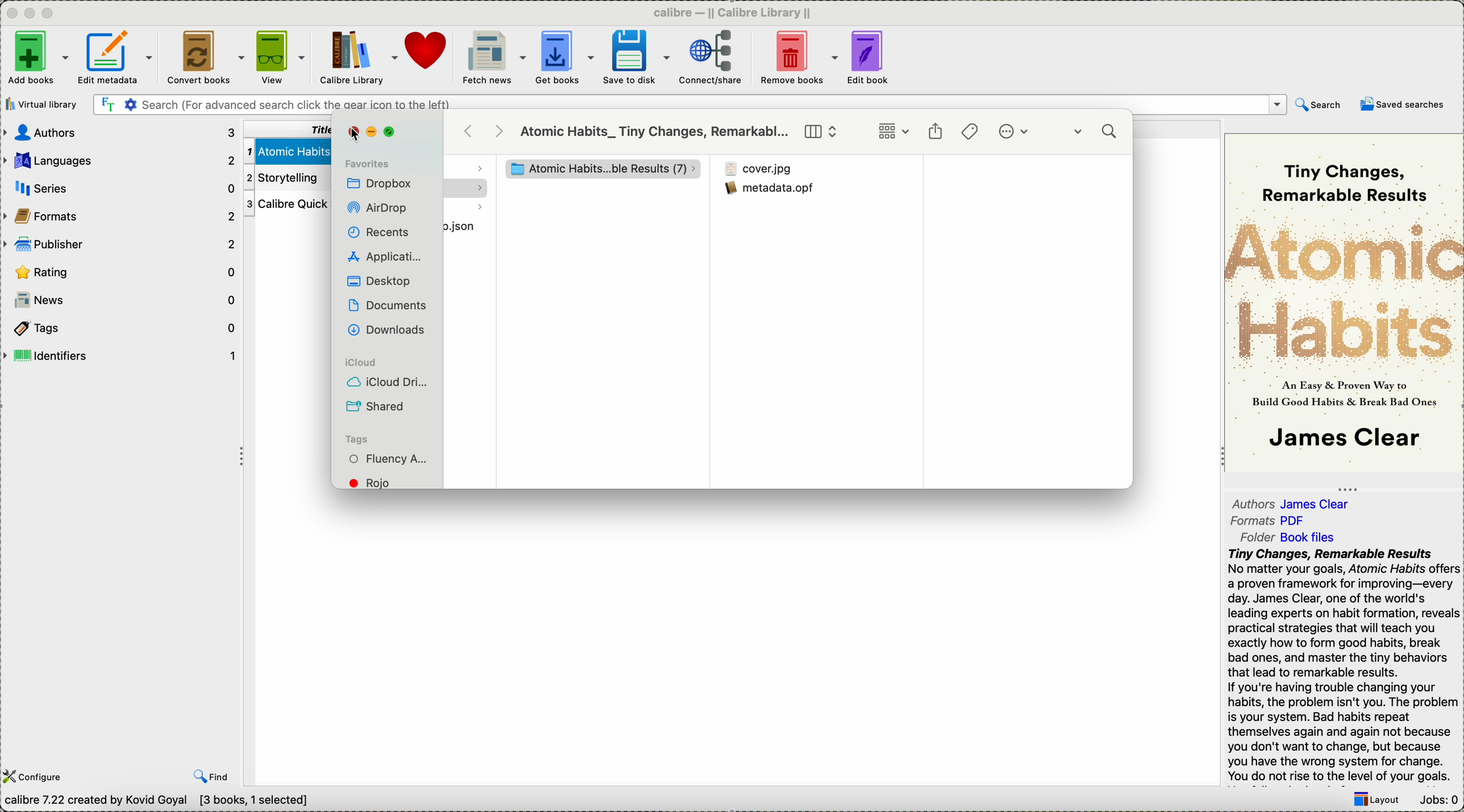 The image size is (1464, 812). What do you see at coordinates (595, 169) in the screenshot?
I see `bobette buster` at bounding box center [595, 169].